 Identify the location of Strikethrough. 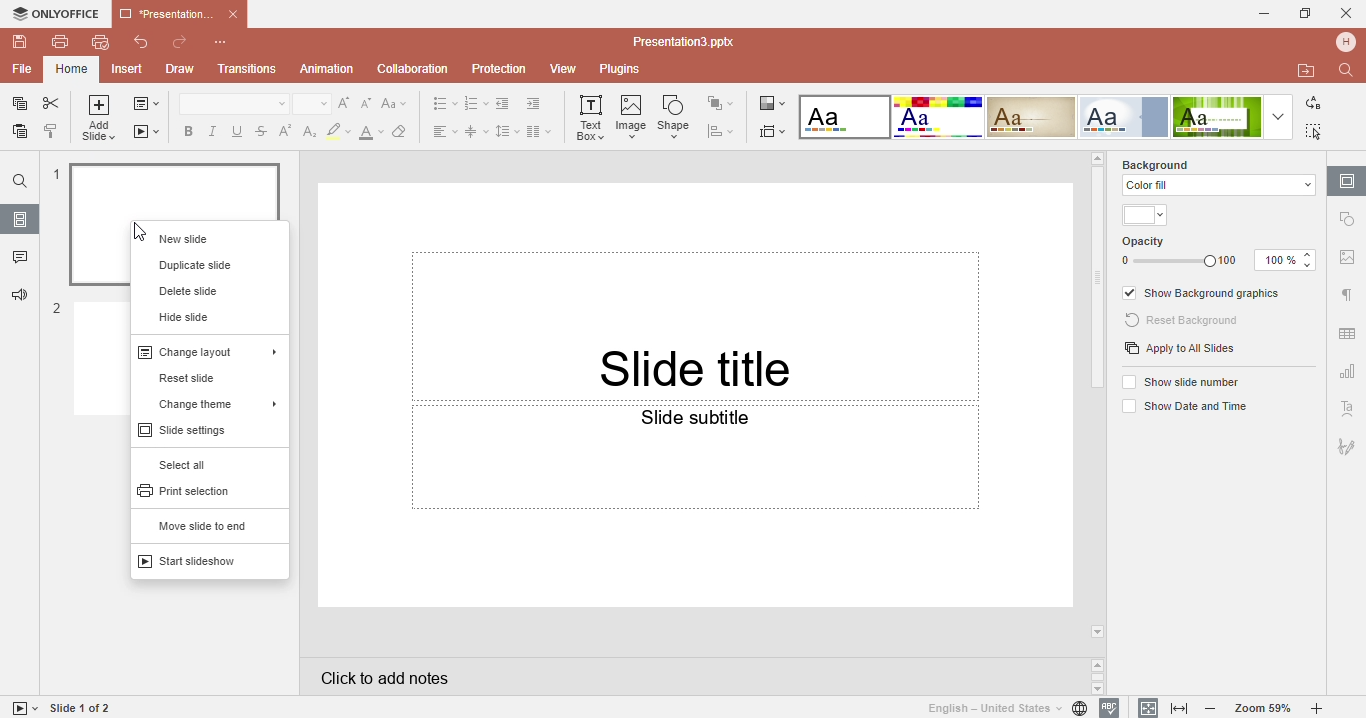
(261, 130).